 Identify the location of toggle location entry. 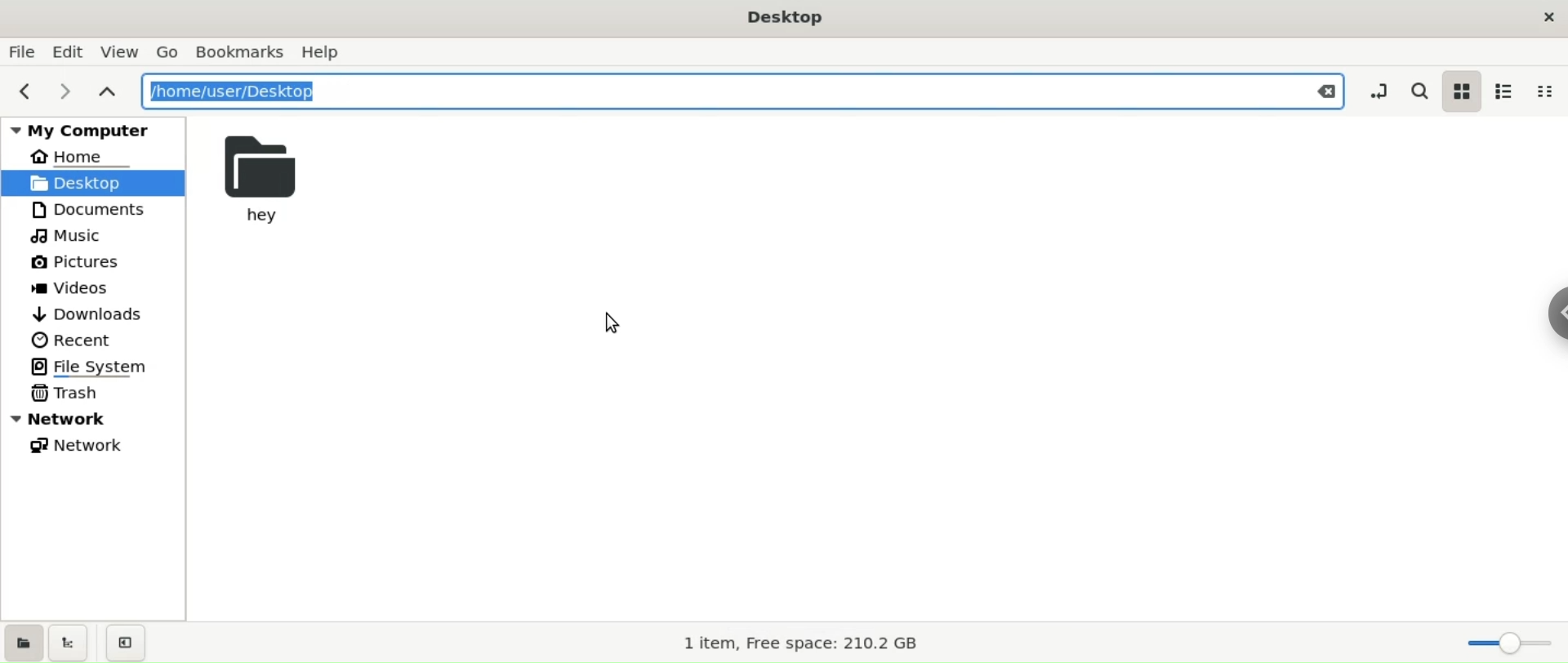
(1378, 91).